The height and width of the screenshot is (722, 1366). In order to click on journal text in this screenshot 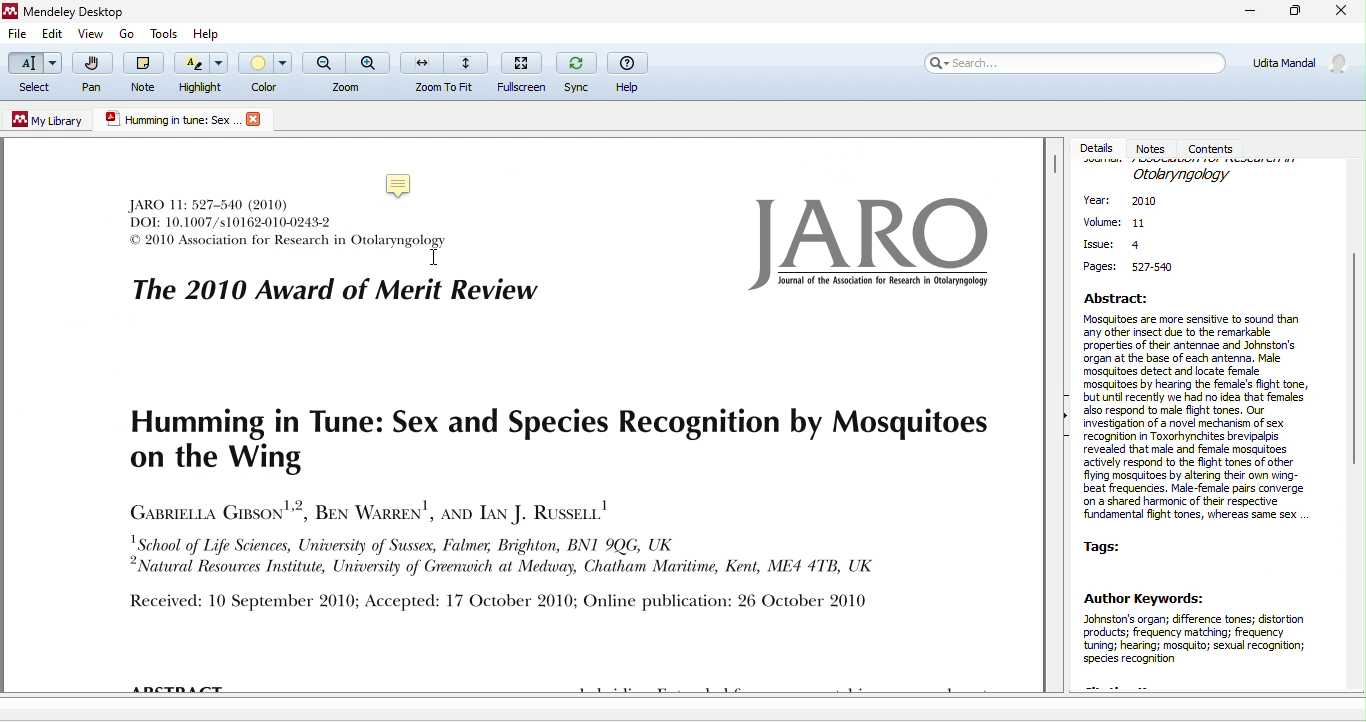, I will do `click(325, 268)`.